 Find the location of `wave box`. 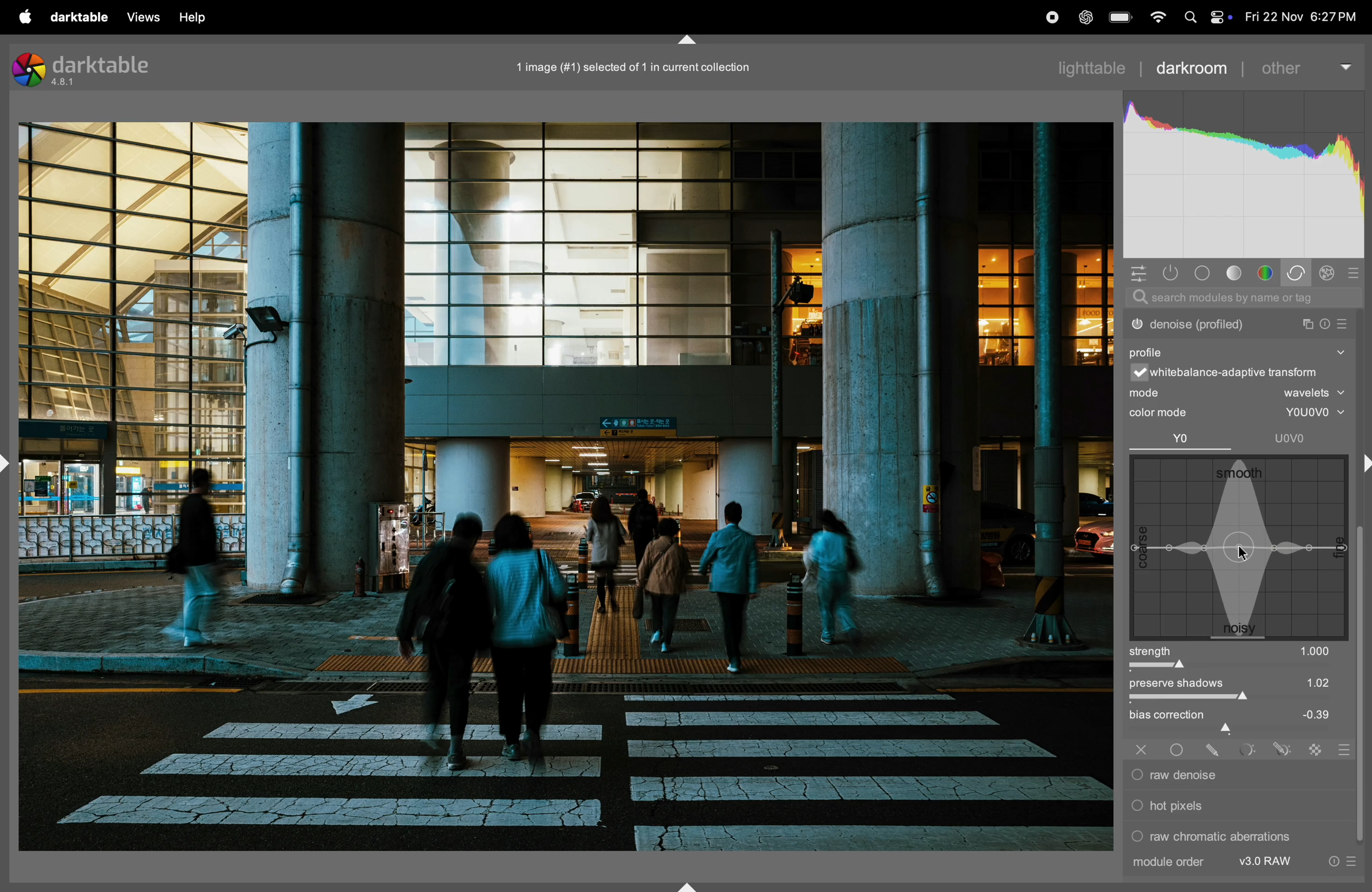

wave box is located at coordinates (1238, 546).